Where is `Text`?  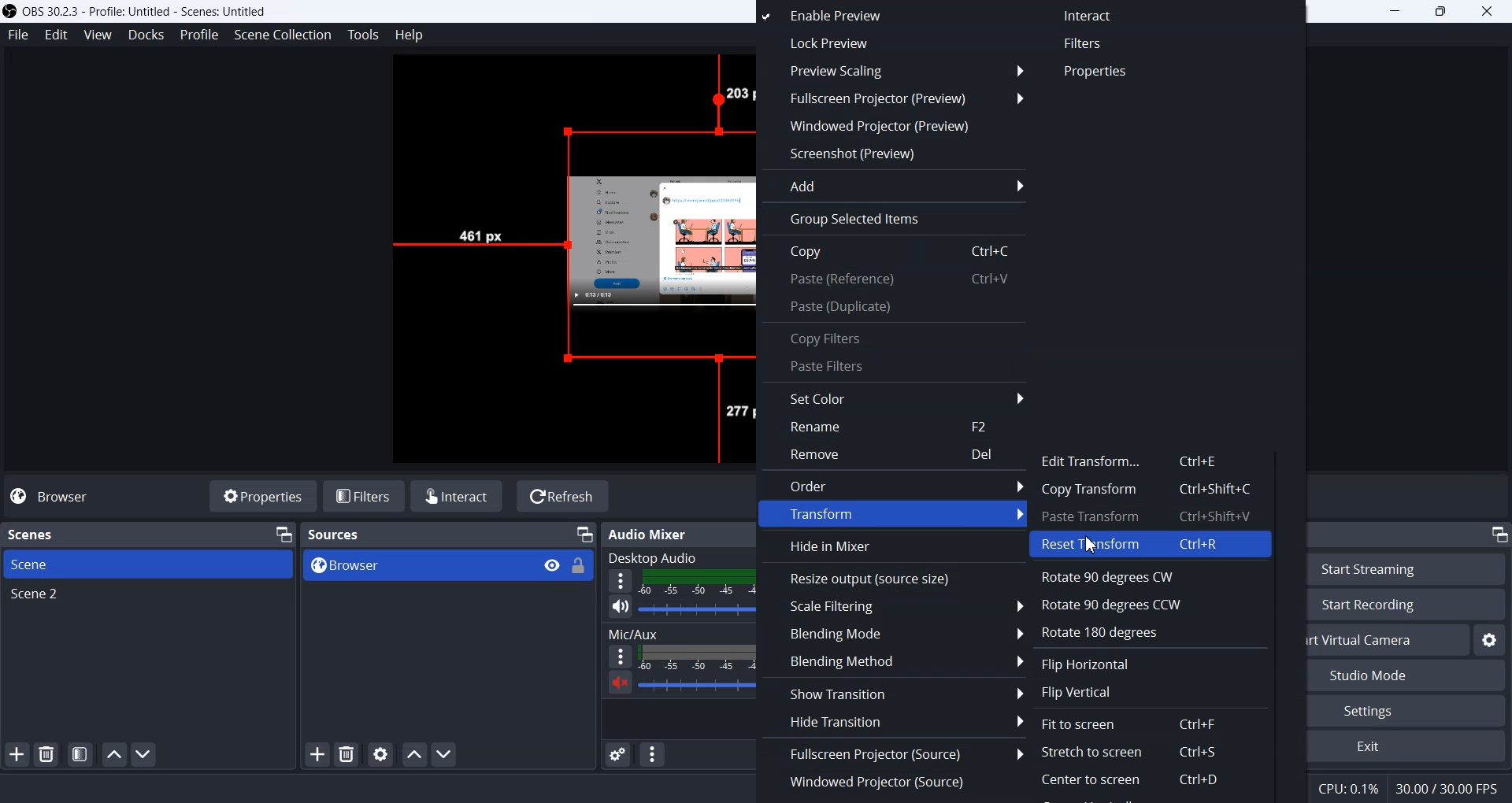 Text is located at coordinates (351, 534).